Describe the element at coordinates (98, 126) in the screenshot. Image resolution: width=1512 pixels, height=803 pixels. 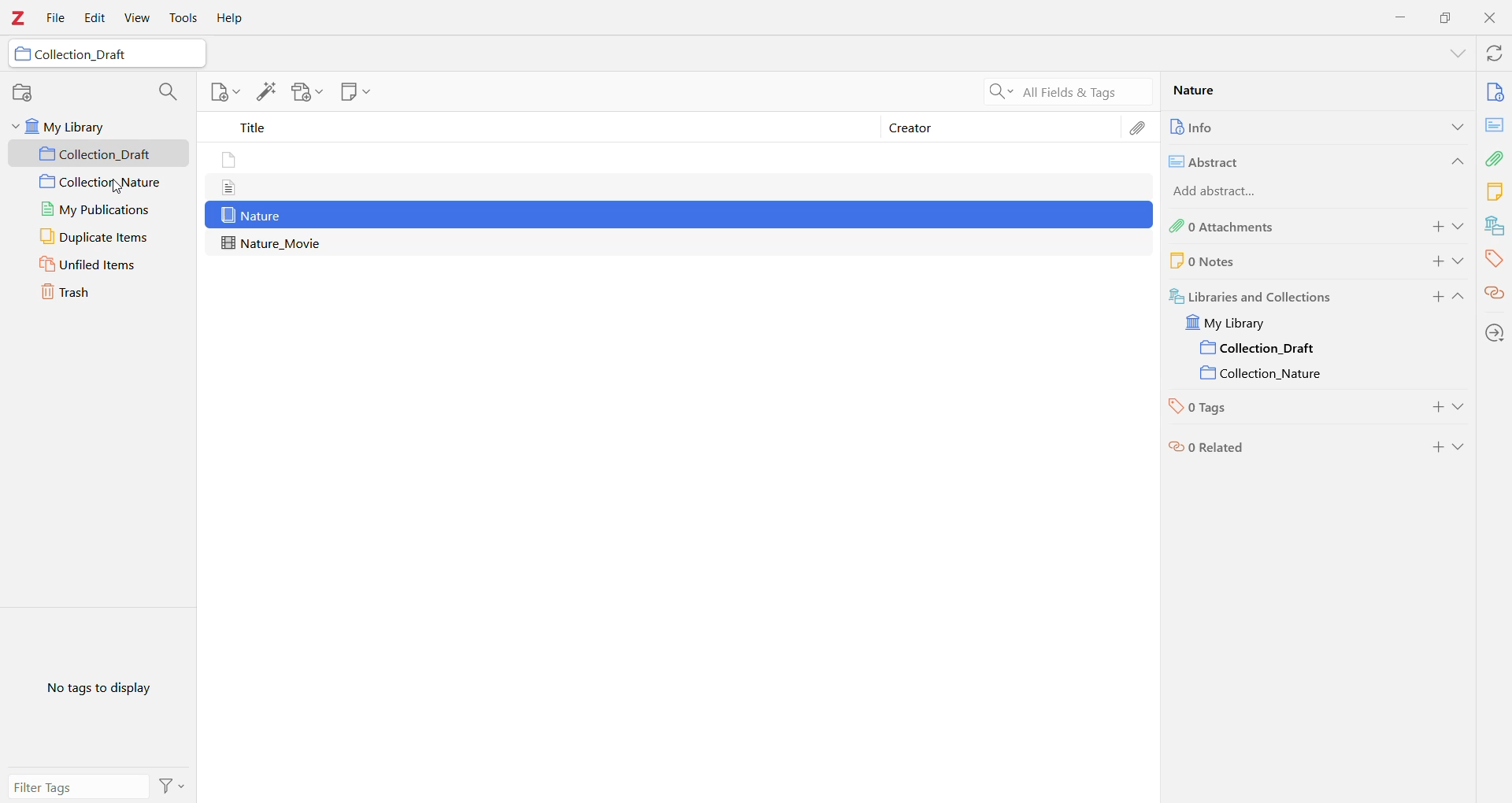
I see `My Library` at that location.